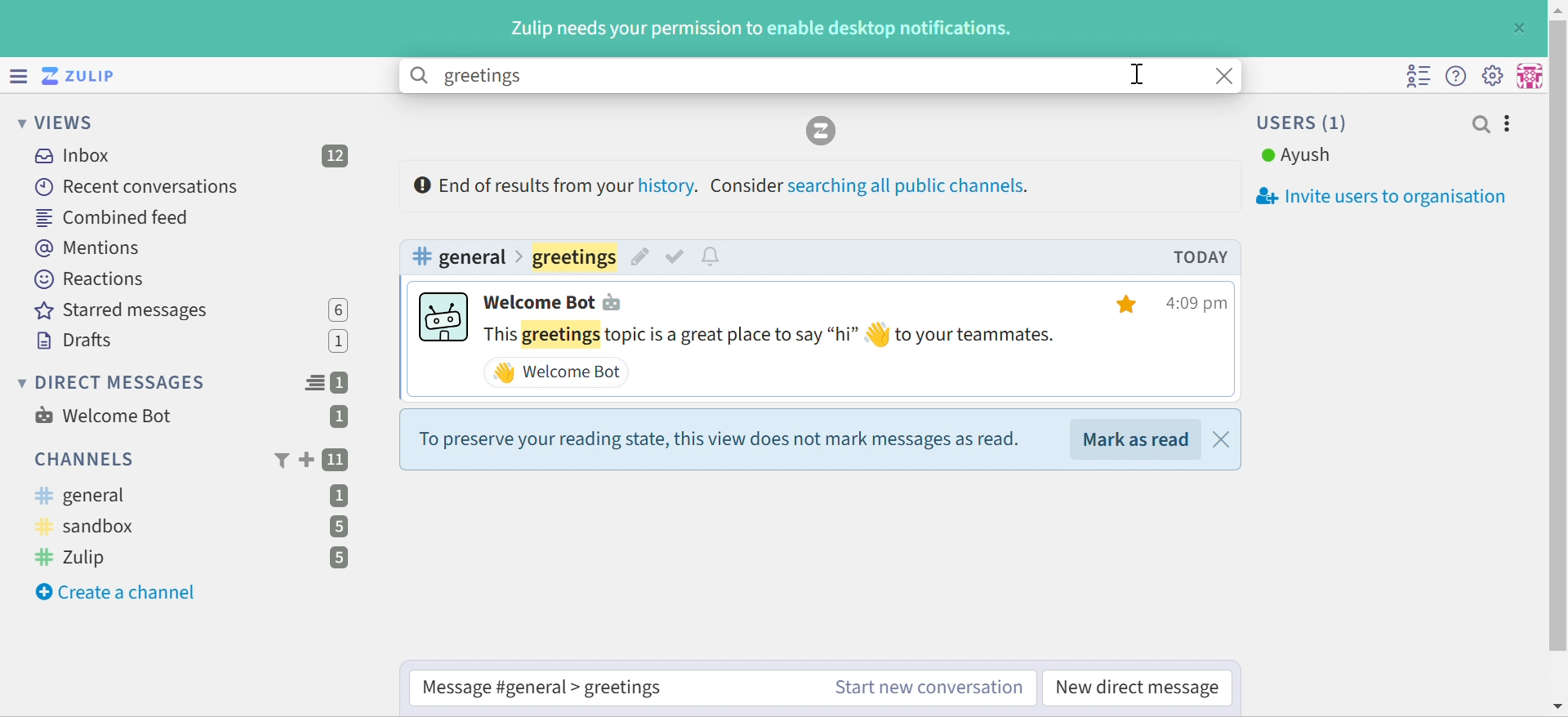 This screenshot has width=1568, height=717. Describe the element at coordinates (337, 461) in the screenshot. I see `11` at that location.